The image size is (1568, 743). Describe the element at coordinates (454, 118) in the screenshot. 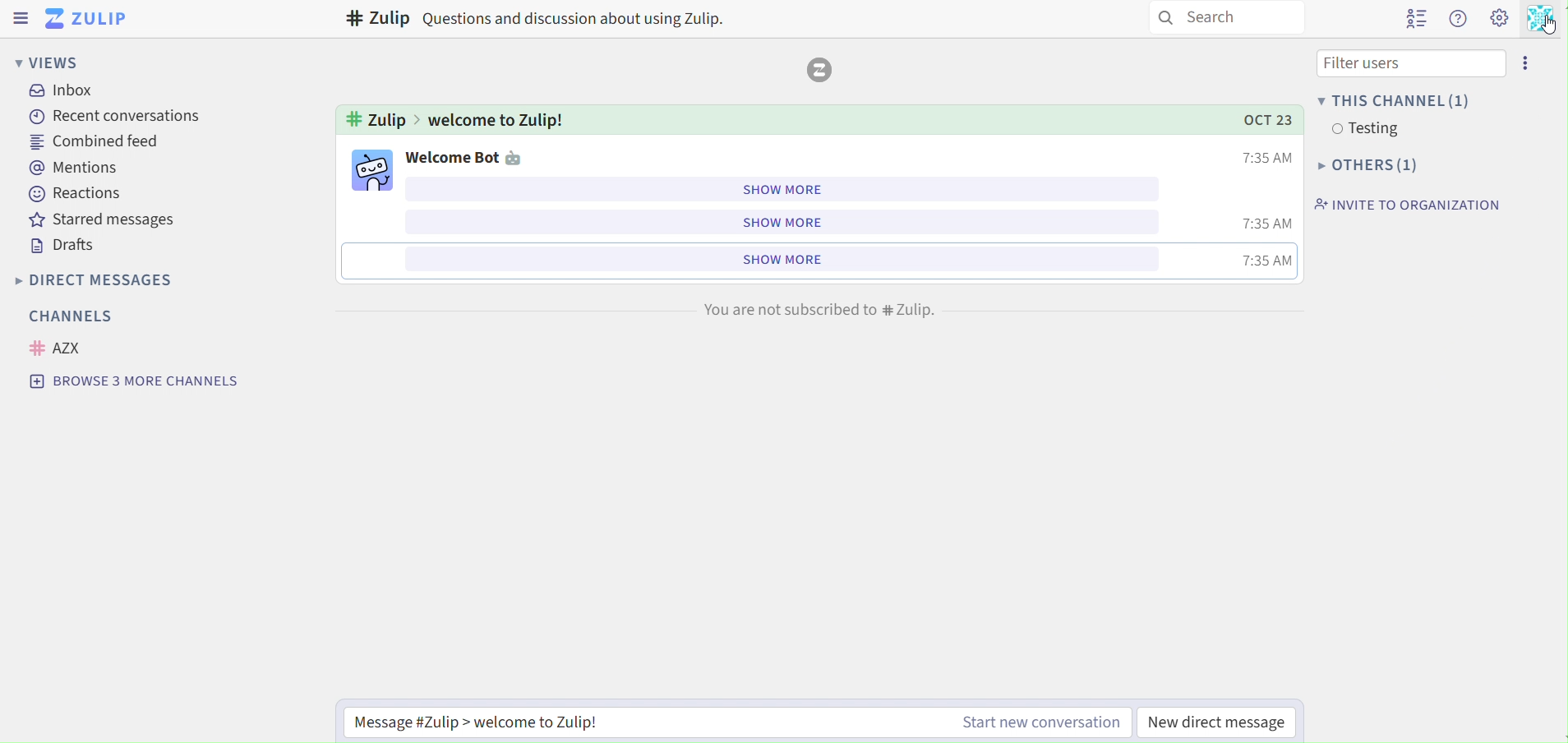

I see `Zulip welcome to Zulip !` at that location.